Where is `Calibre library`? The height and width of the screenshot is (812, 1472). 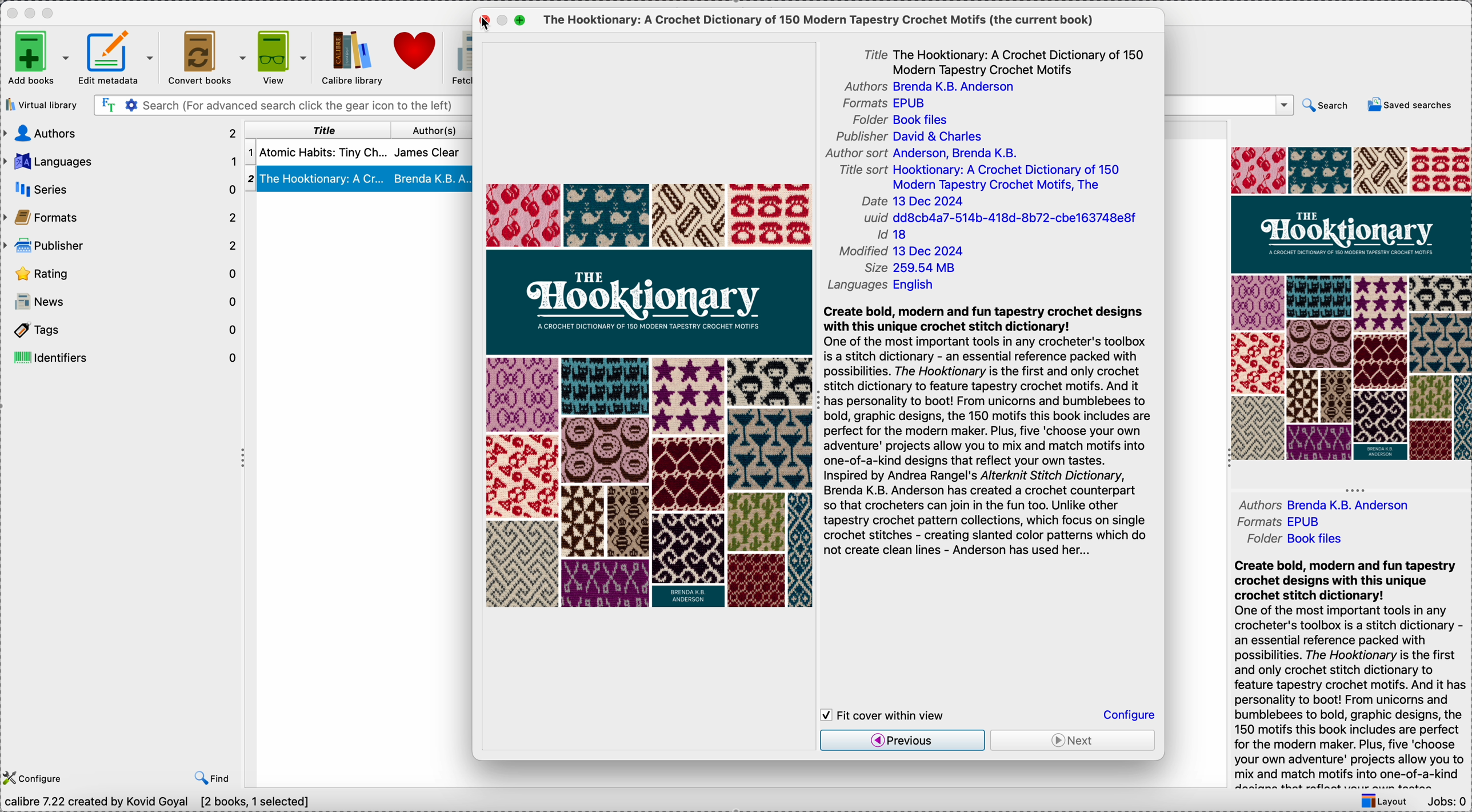 Calibre library is located at coordinates (352, 59).